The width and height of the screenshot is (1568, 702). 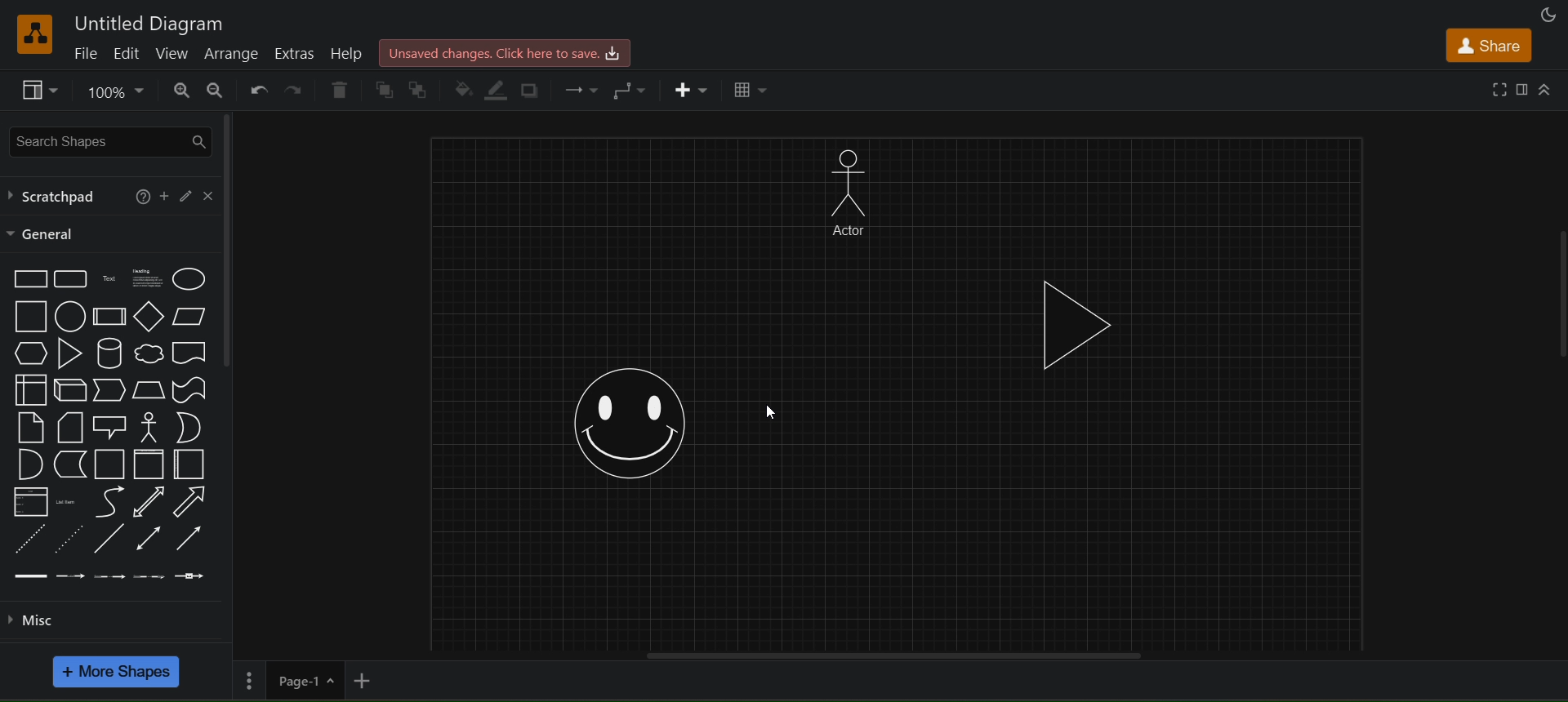 I want to click on horizontal container, so click(x=189, y=464).